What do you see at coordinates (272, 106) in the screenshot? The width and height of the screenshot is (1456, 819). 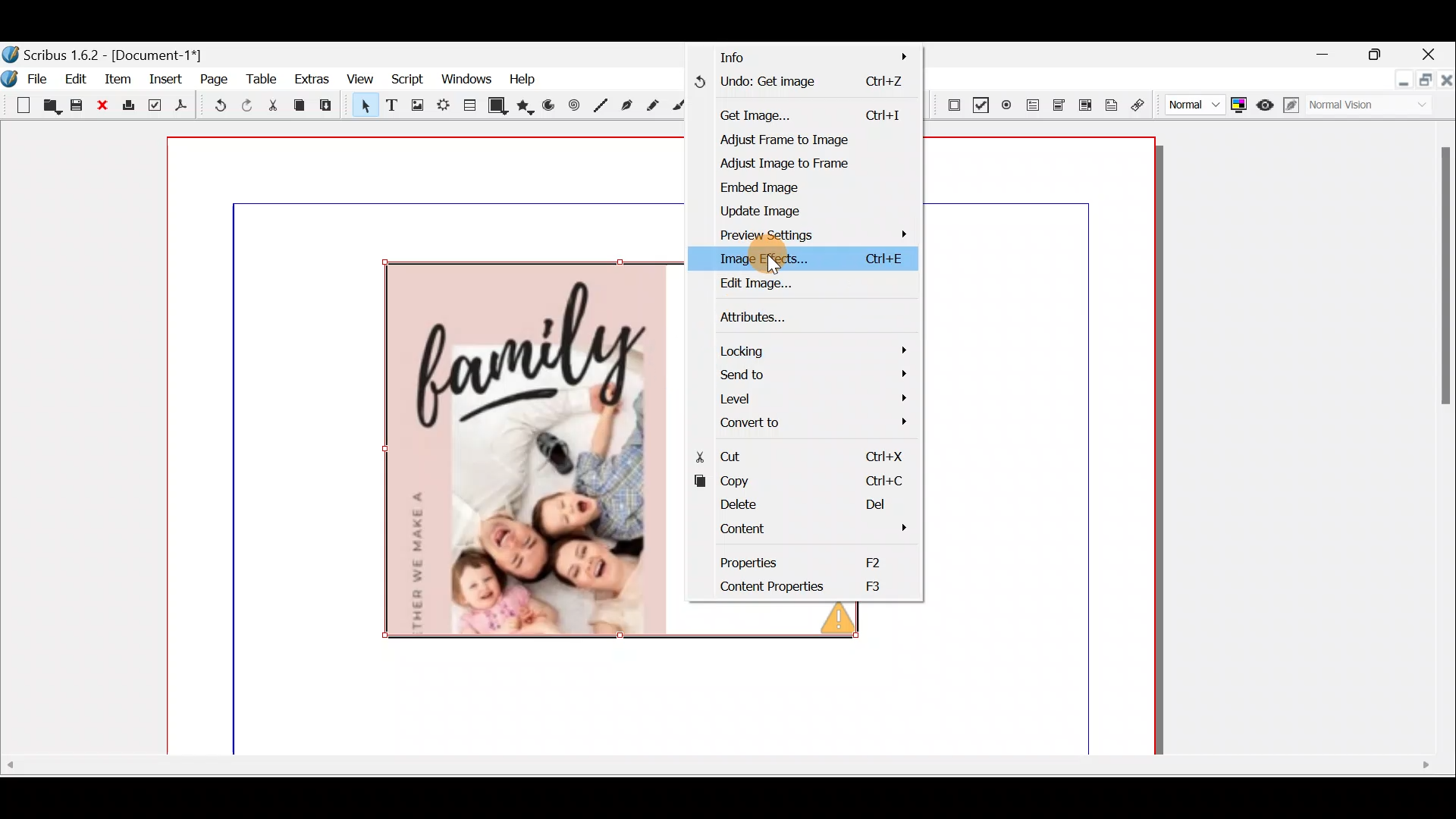 I see `Cut` at bounding box center [272, 106].